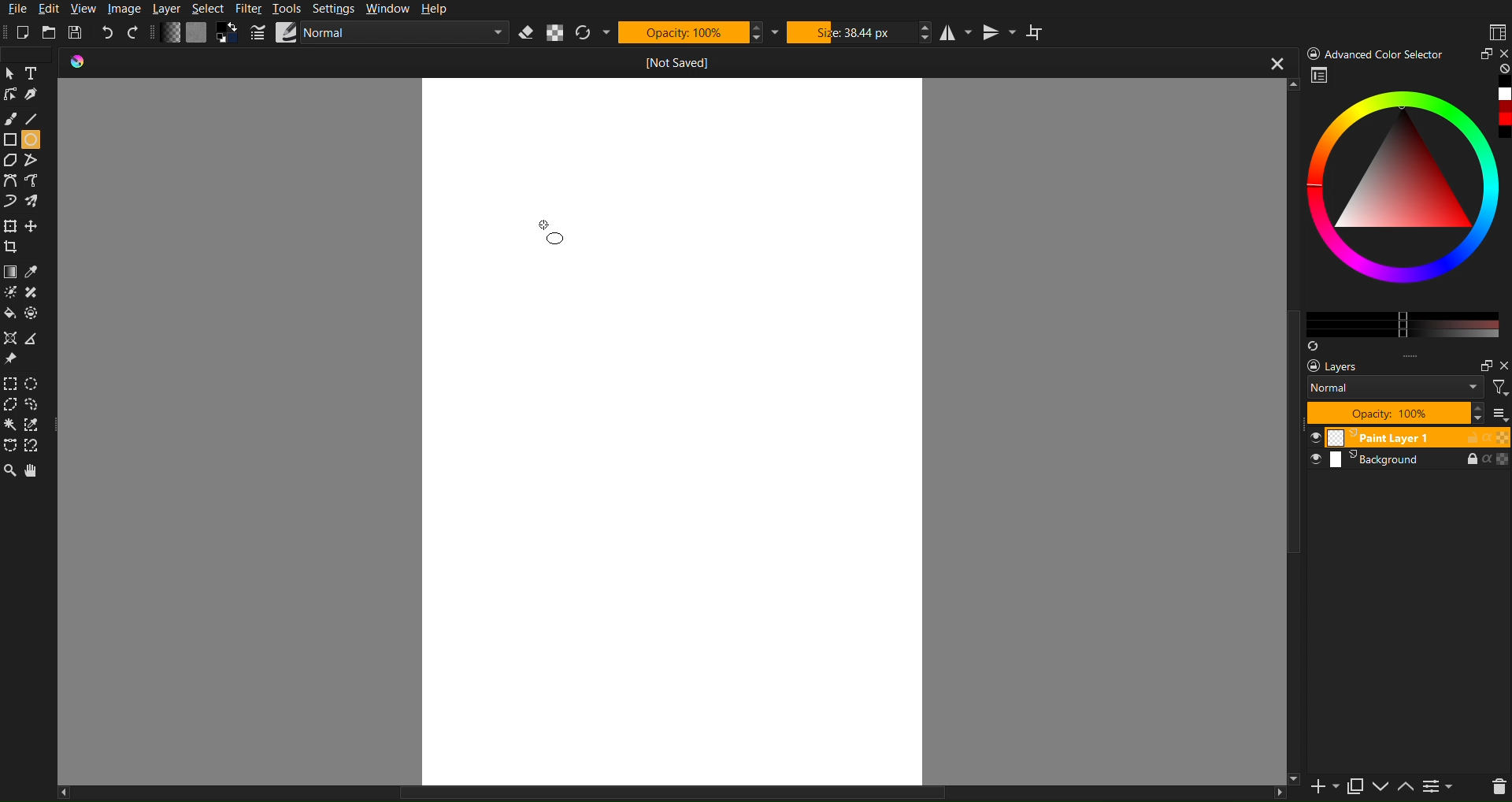  Describe the element at coordinates (1503, 54) in the screenshot. I see `close` at that location.